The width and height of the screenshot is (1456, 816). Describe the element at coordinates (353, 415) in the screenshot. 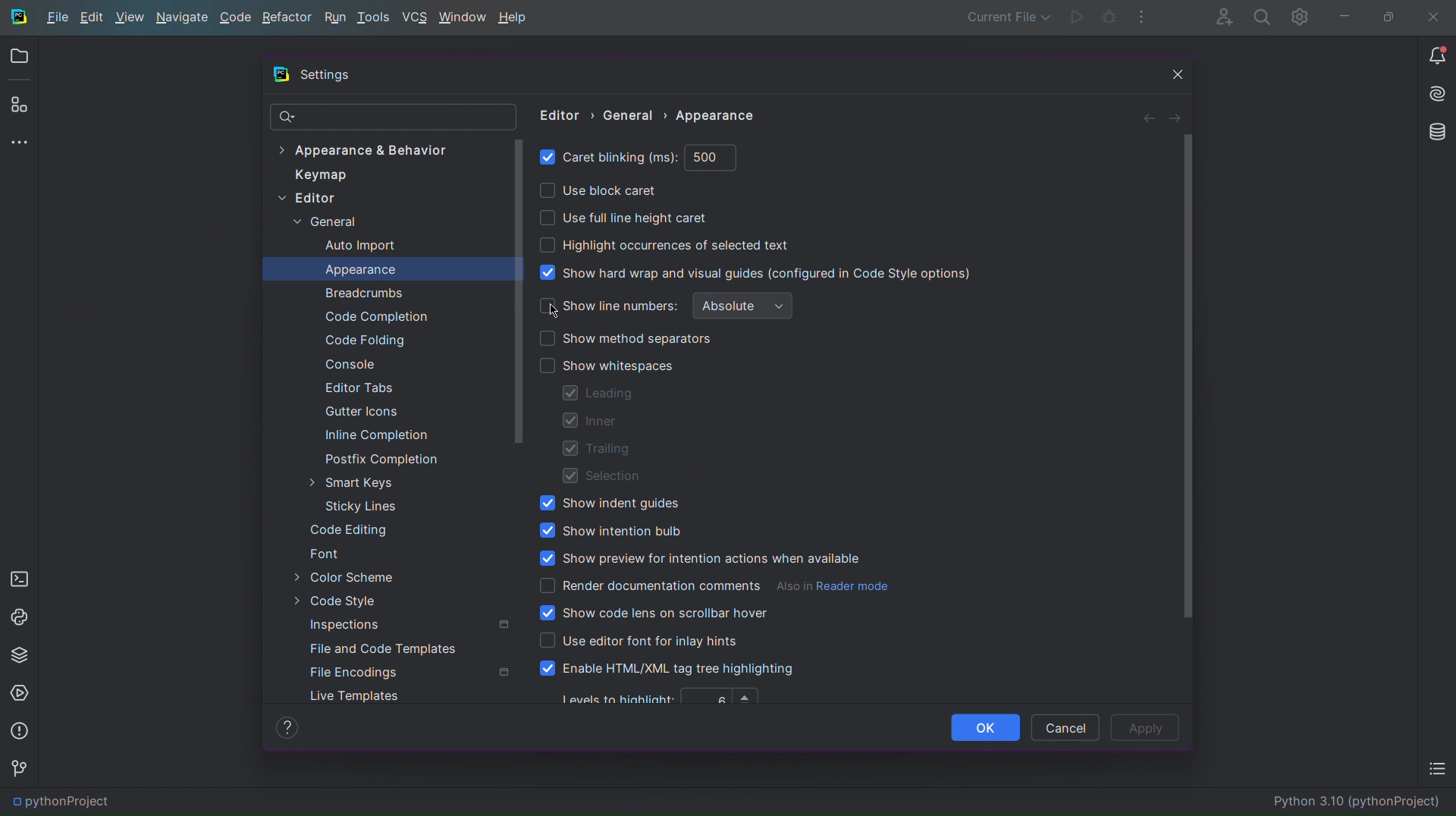

I see `Gutter Icons` at that location.